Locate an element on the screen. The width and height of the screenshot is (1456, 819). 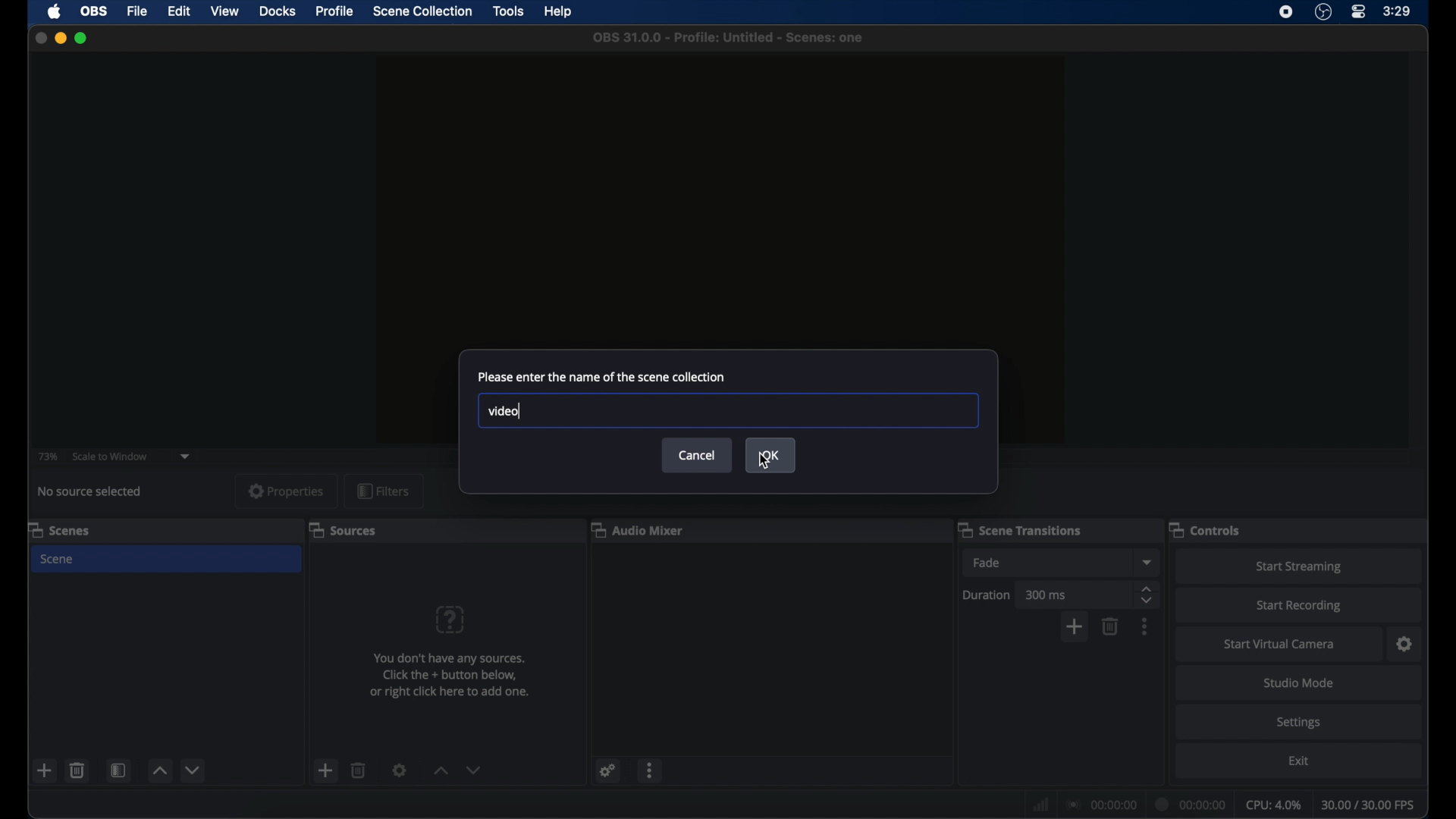
file name is located at coordinates (728, 36).